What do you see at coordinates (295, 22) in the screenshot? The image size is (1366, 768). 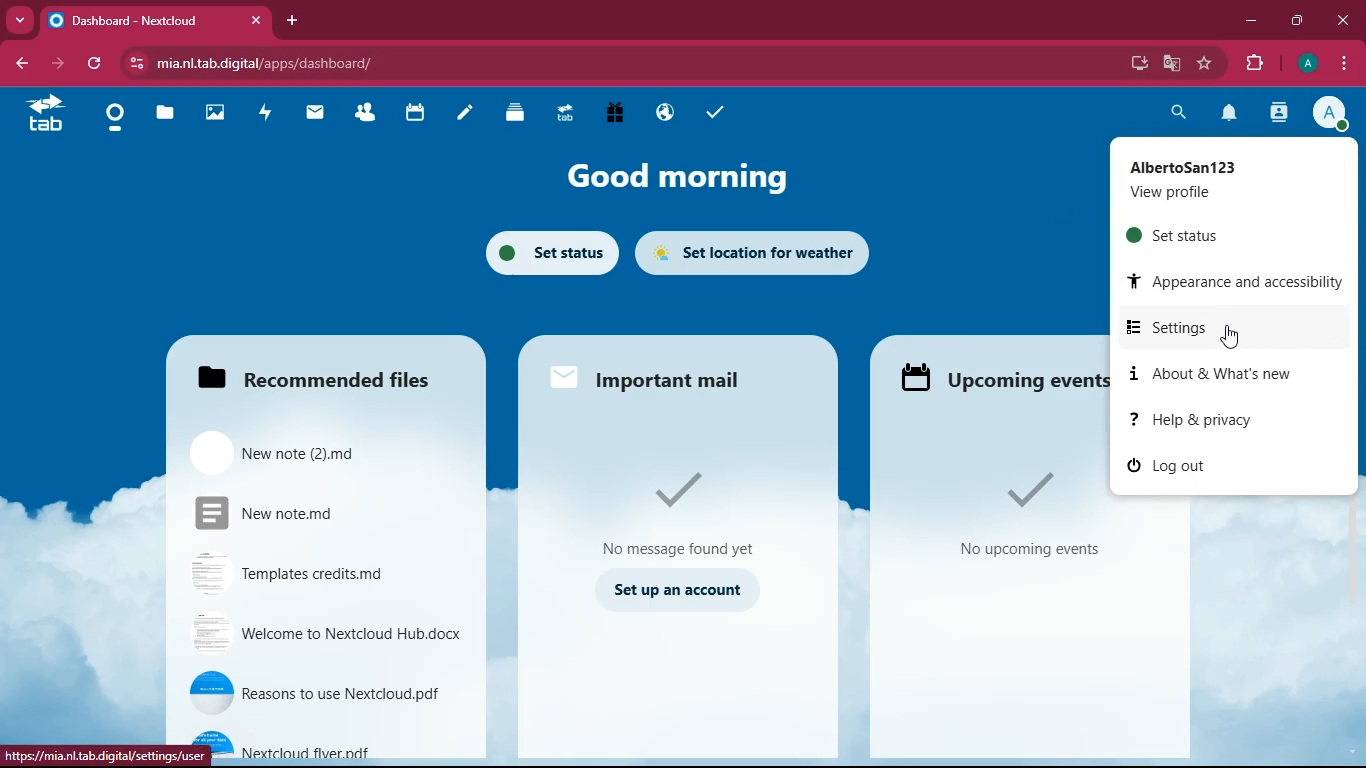 I see `add tab` at bounding box center [295, 22].